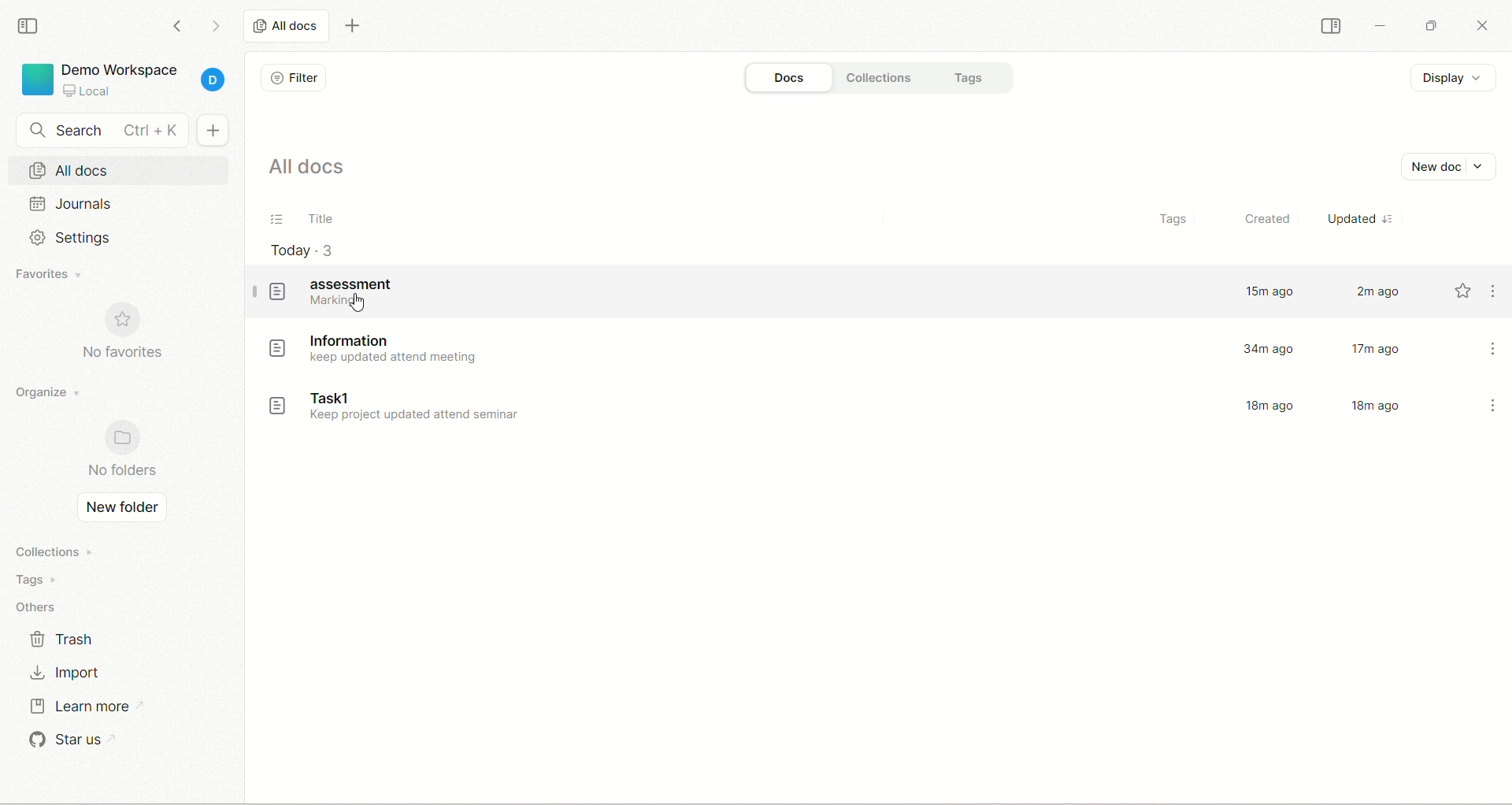 Image resolution: width=1512 pixels, height=805 pixels. Describe the element at coordinates (1273, 348) in the screenshot. I see `34m ago` at that location.